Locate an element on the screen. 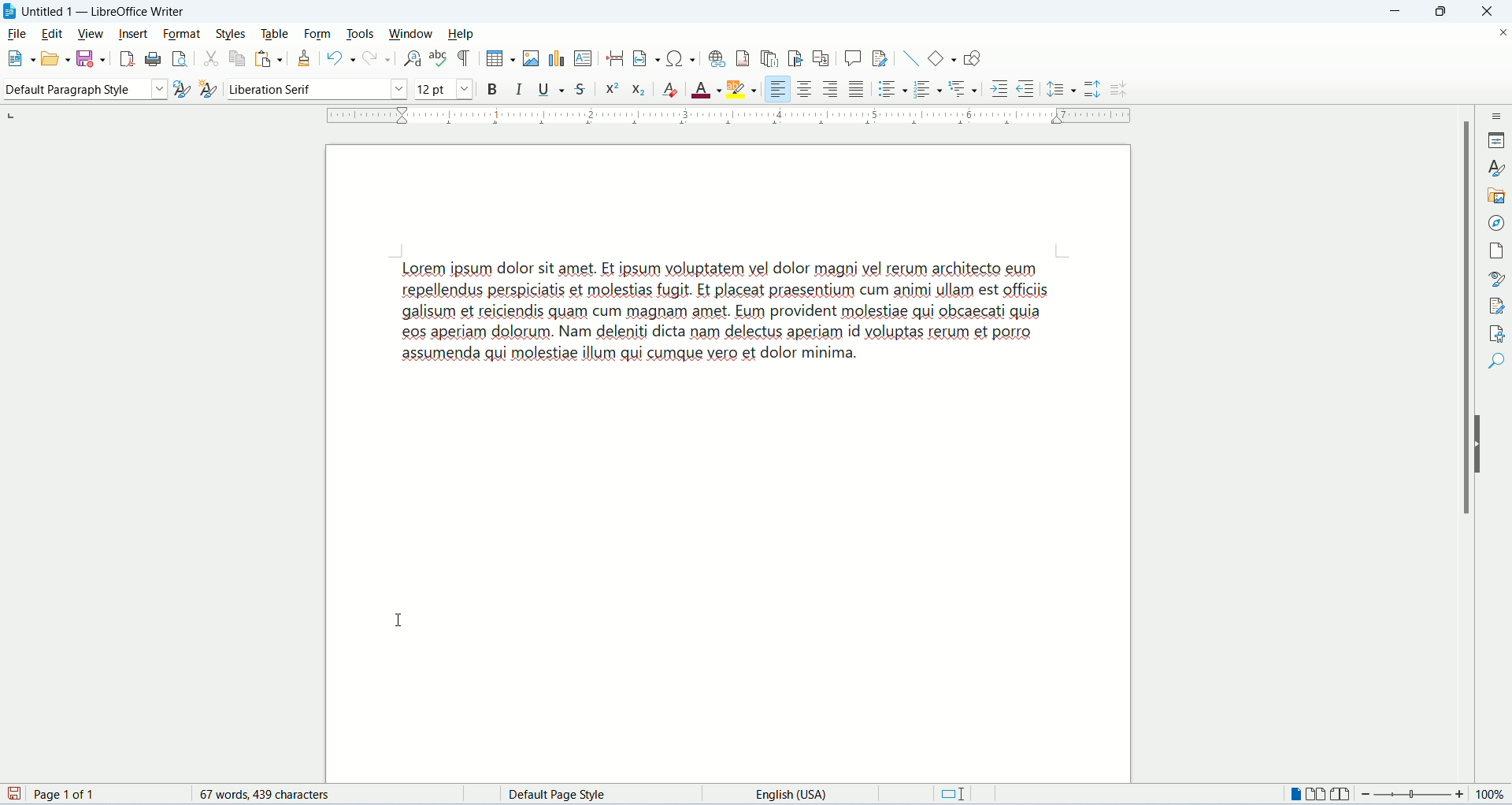 The width and height of the screenshot is (1512, 805). insert page break is located at coordinates (615, 60).